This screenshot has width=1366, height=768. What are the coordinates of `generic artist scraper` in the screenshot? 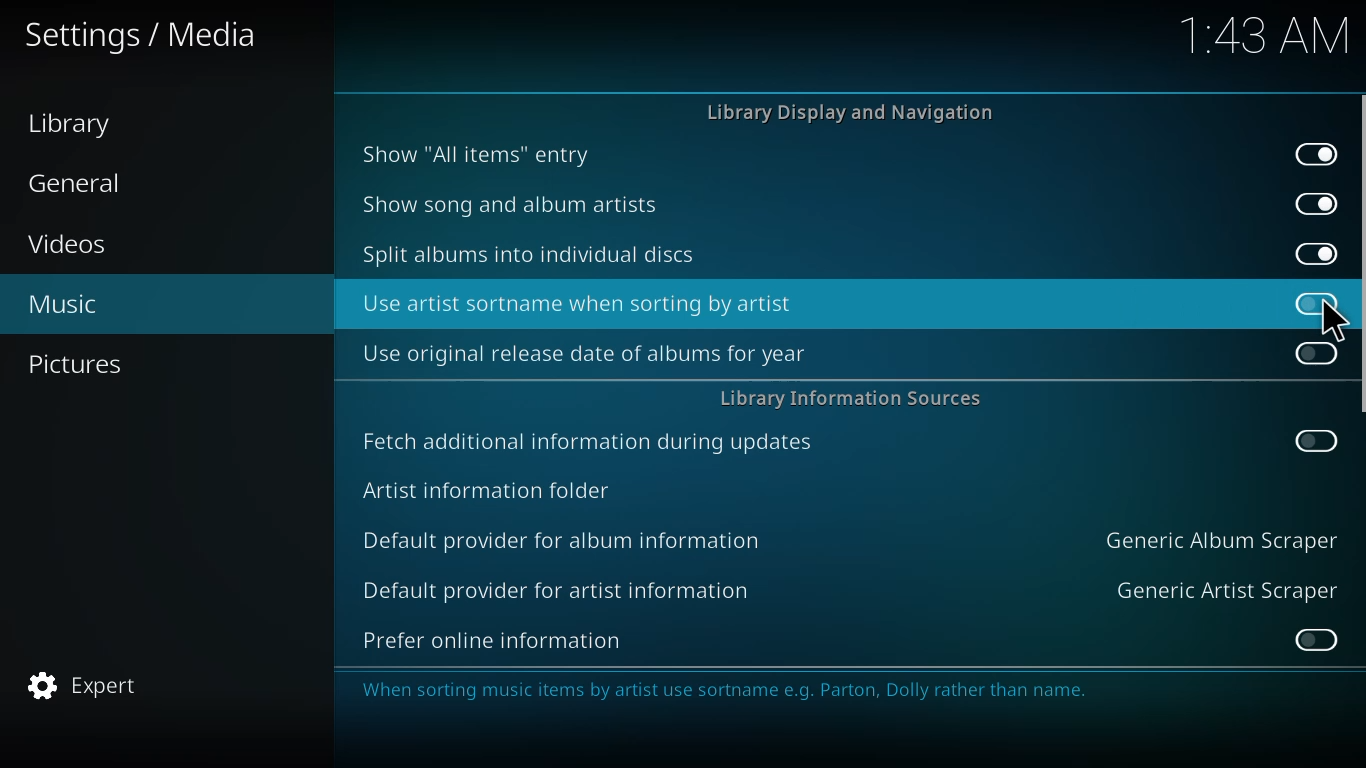 It's located at (1226, 589).